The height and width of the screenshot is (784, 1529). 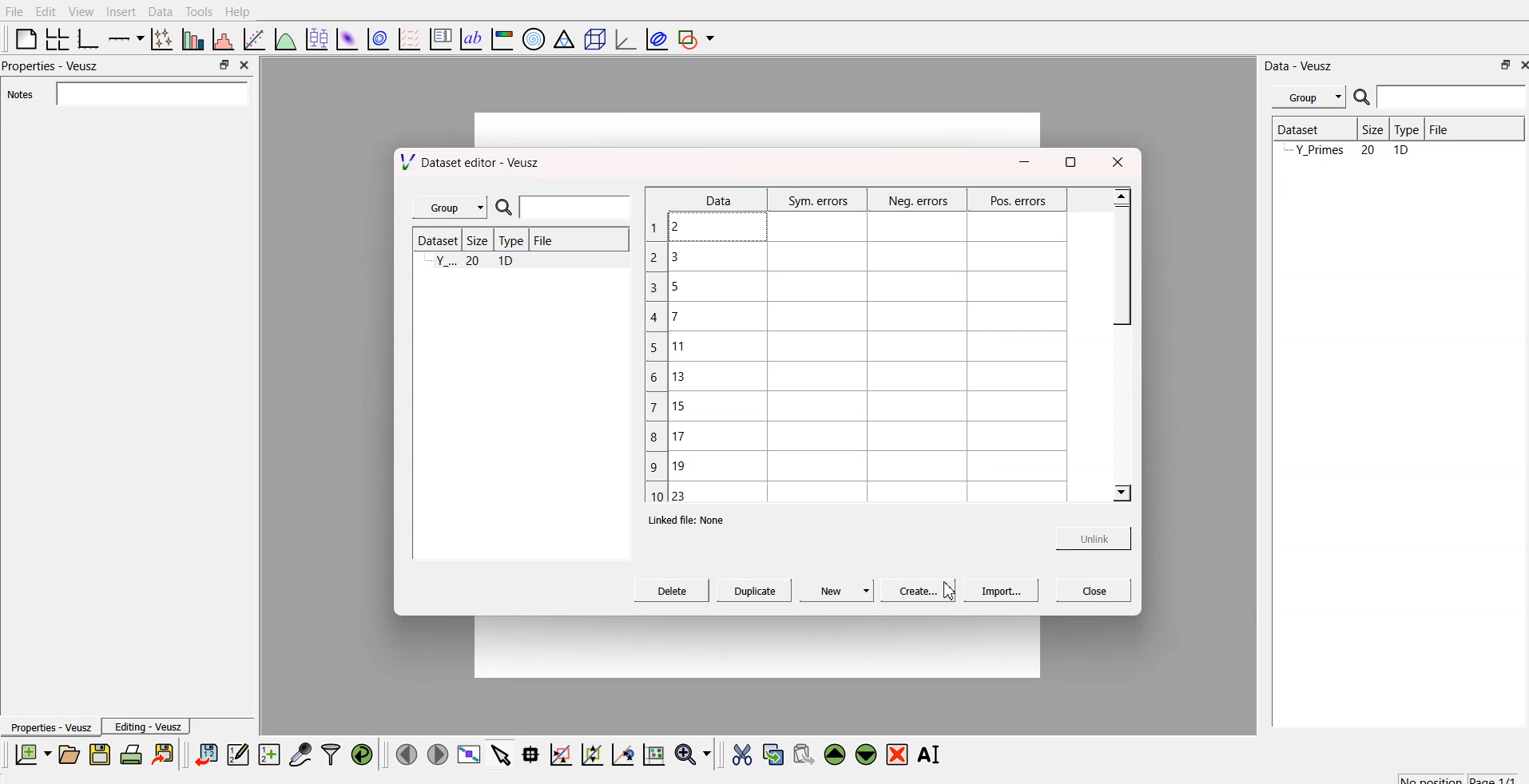 What do you see at coordinates (817, 200) in the screenshot?
I see `Sym. errors` at bounding box center [817, 200].